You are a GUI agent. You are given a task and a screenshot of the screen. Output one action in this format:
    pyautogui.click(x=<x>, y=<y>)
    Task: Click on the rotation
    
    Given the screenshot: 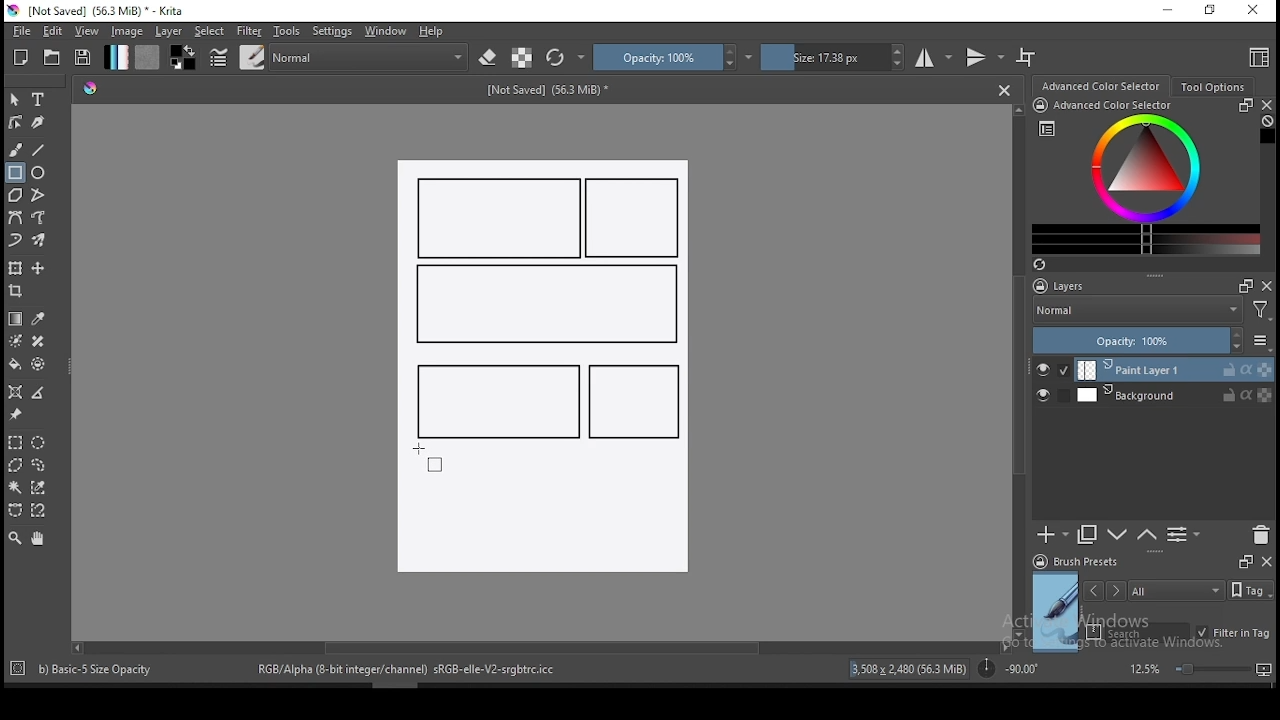 What is the action you would take?
    pyautogui.click(x=1008, y=667)
    